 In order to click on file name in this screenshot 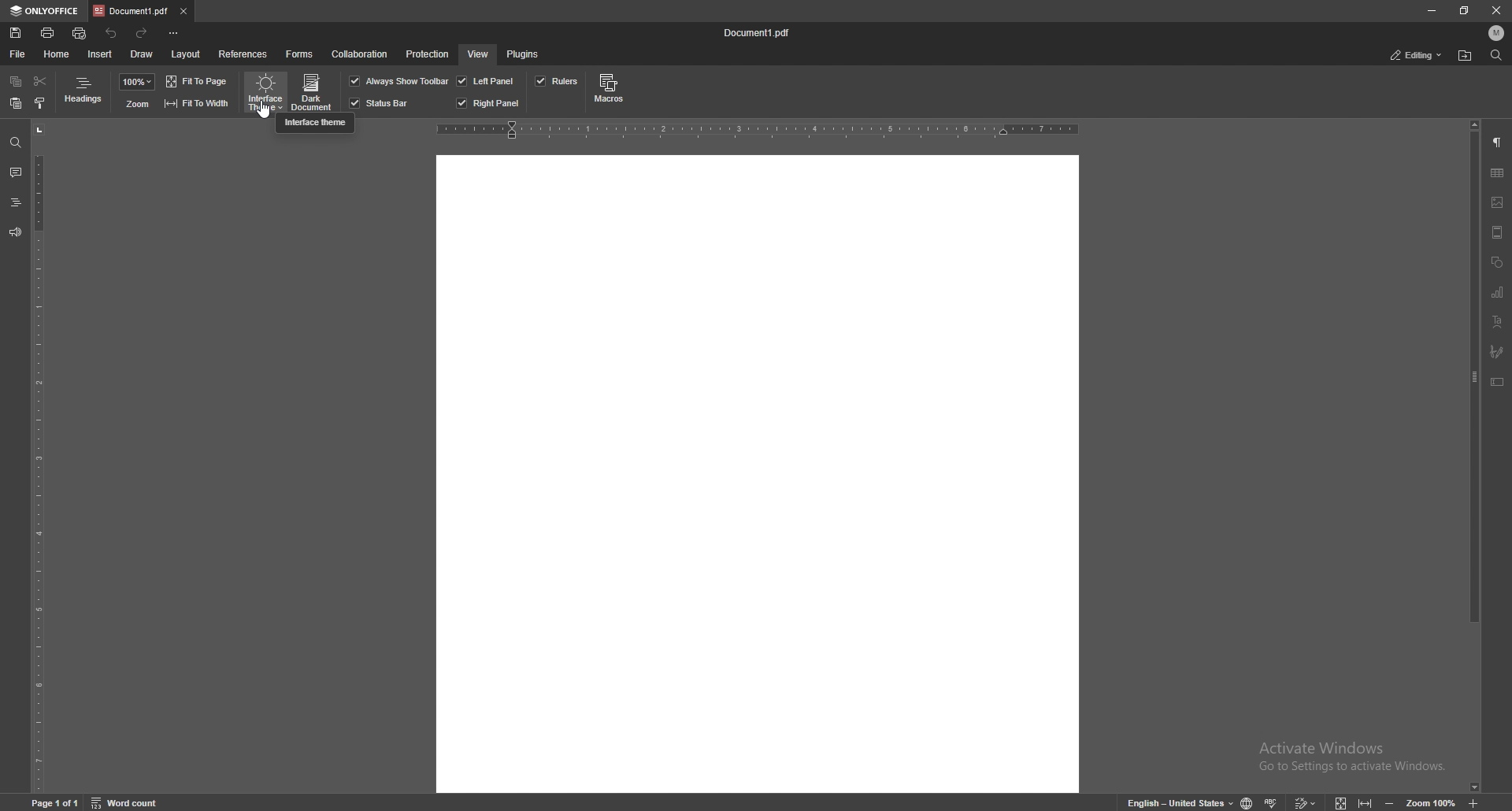, I will do `click(757, 31)`.